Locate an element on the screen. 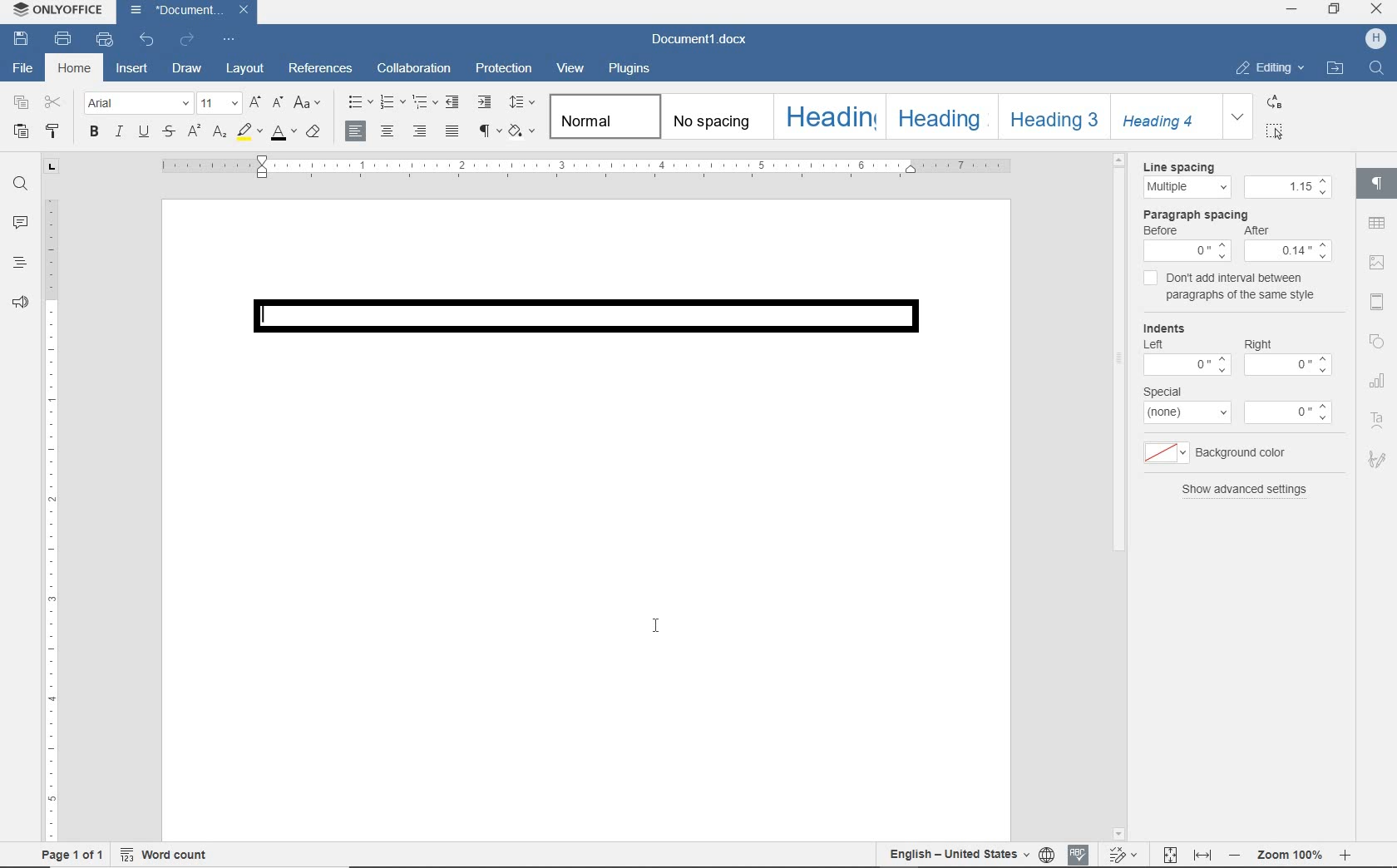  Spell Check is located at coordinates (1080, 853).